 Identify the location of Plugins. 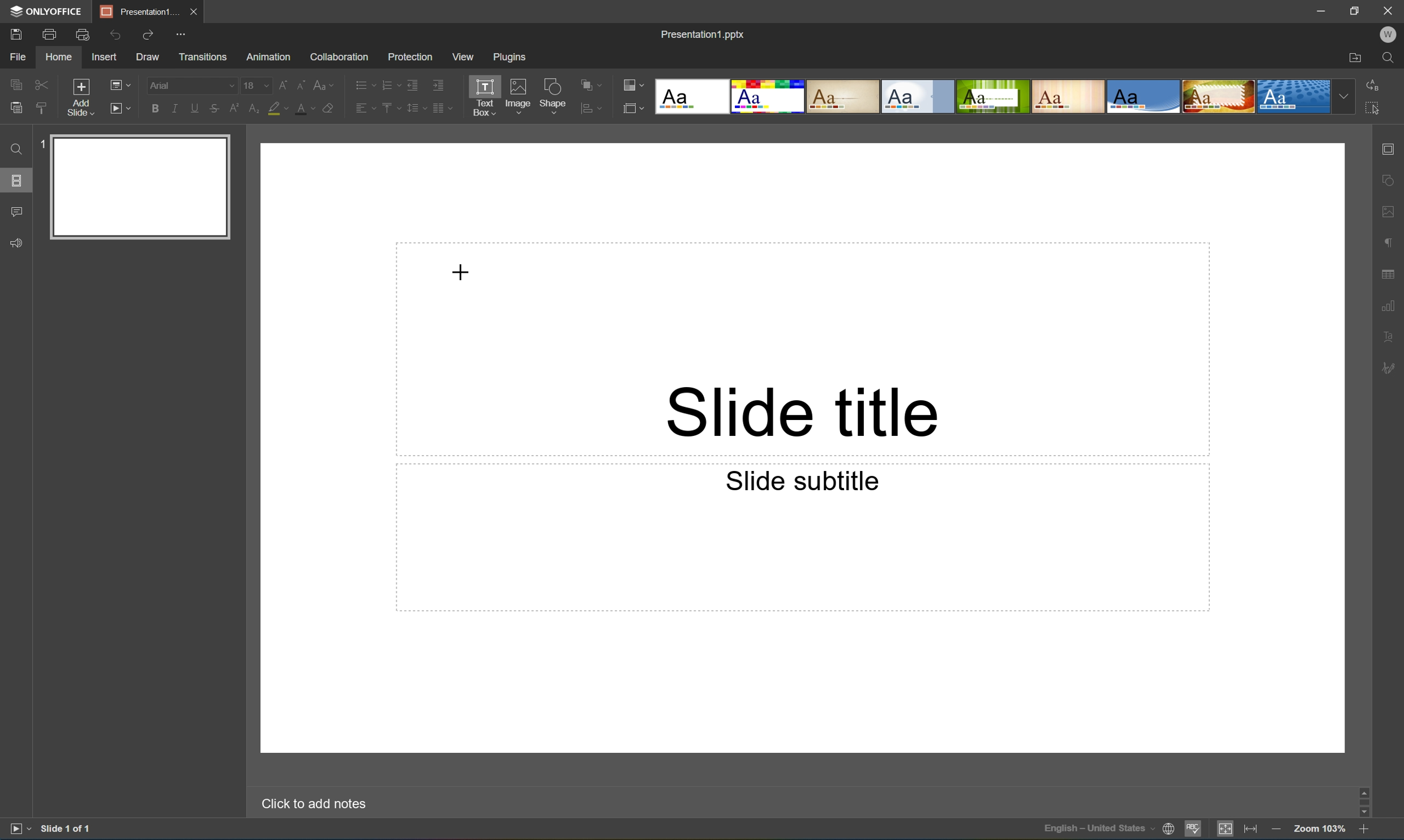
(512, 57).